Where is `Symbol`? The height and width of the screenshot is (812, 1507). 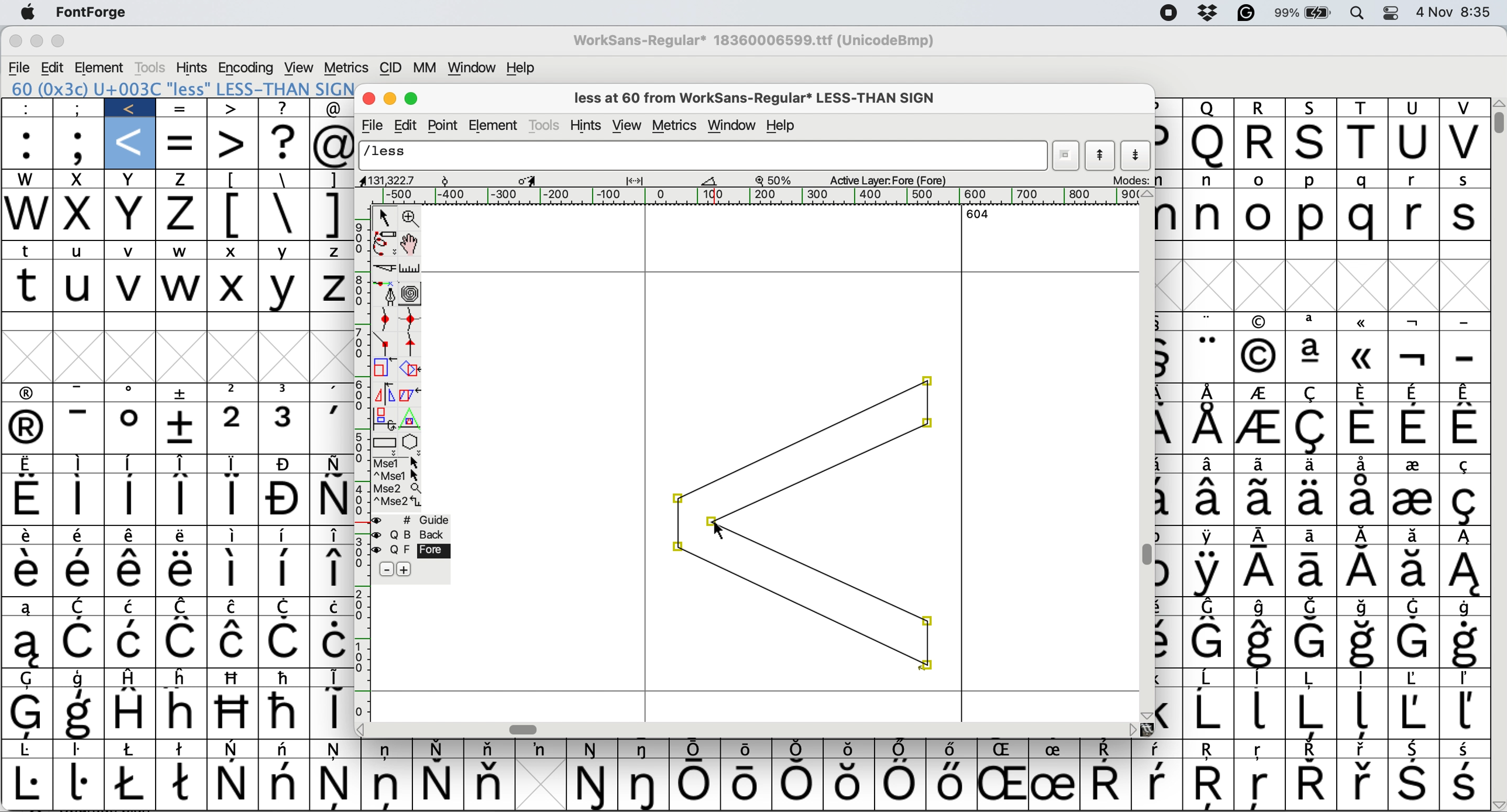 Symbol is located at coordinates (330, 535).